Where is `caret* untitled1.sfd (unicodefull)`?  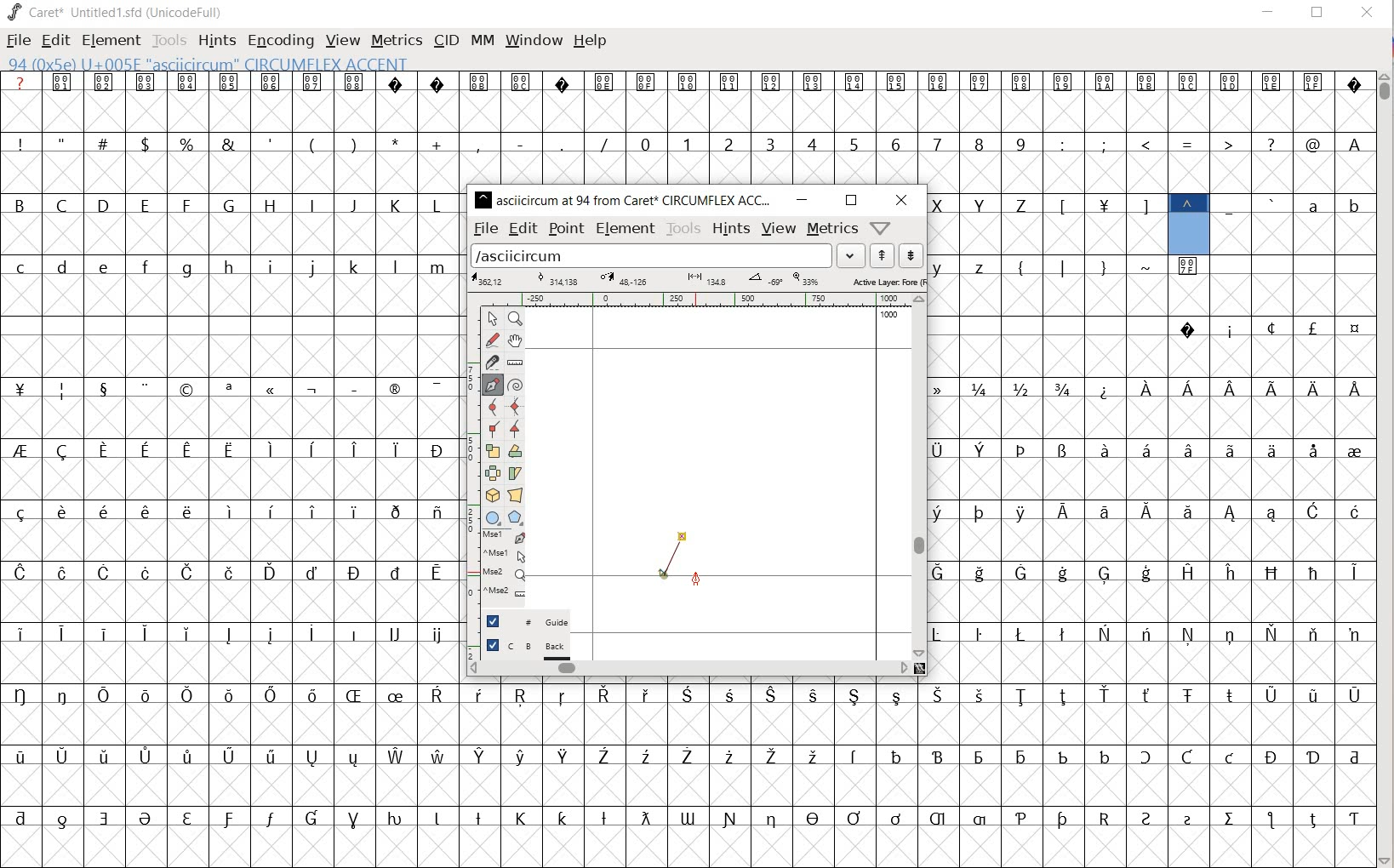
caret* untitled1.sfd (unicodefull) is located at coordinates (117, 11).